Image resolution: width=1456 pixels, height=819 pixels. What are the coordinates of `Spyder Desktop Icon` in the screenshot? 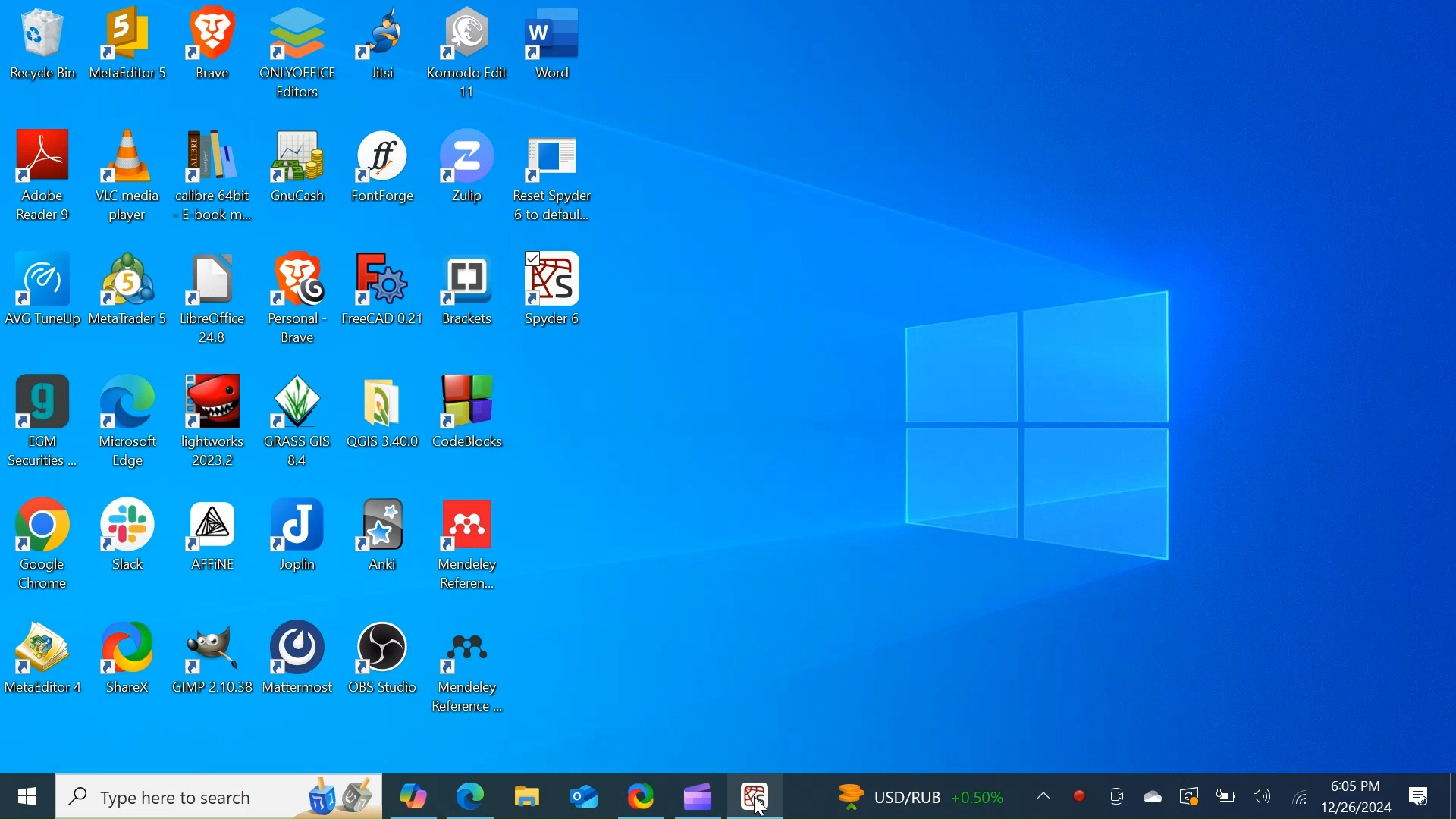 It's located at (549, 301).